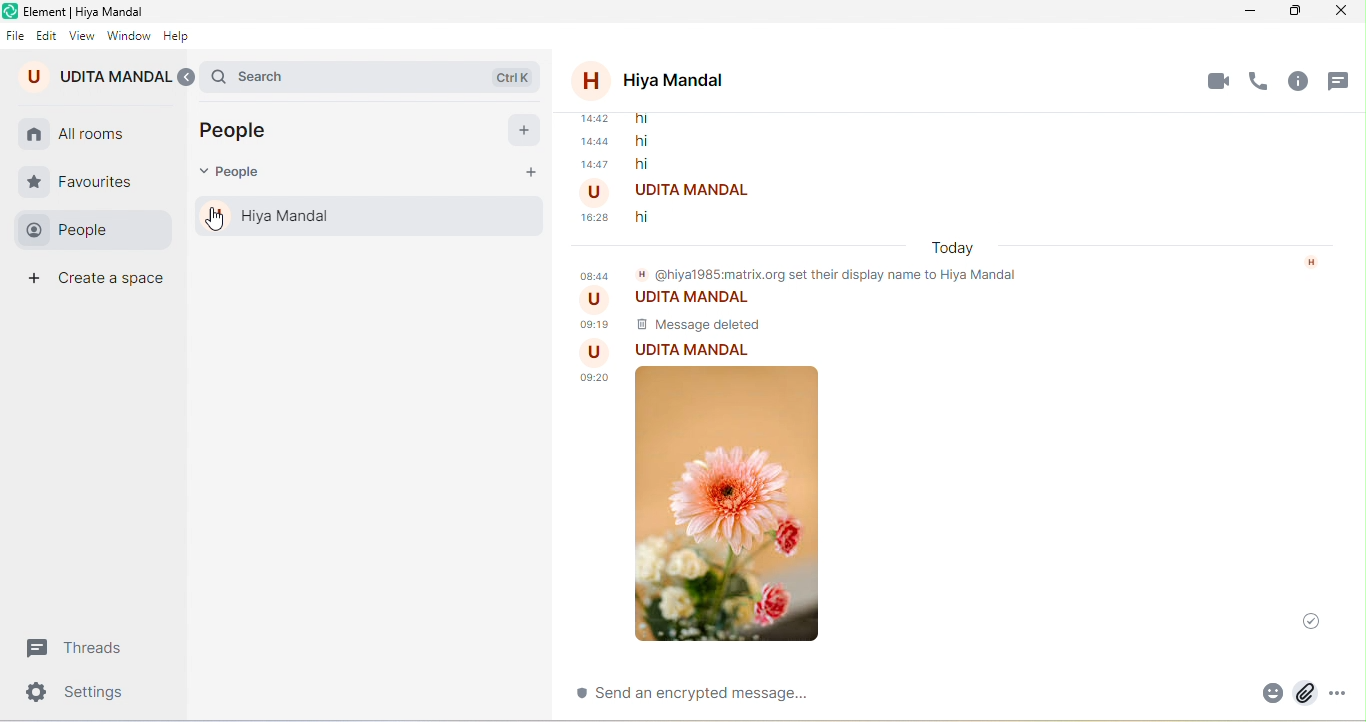 This screenshot has height=722, width=1366. What do you see at coordinates (93, 10) in the screenshot?
I see `title` at bounding box center [93, 10].